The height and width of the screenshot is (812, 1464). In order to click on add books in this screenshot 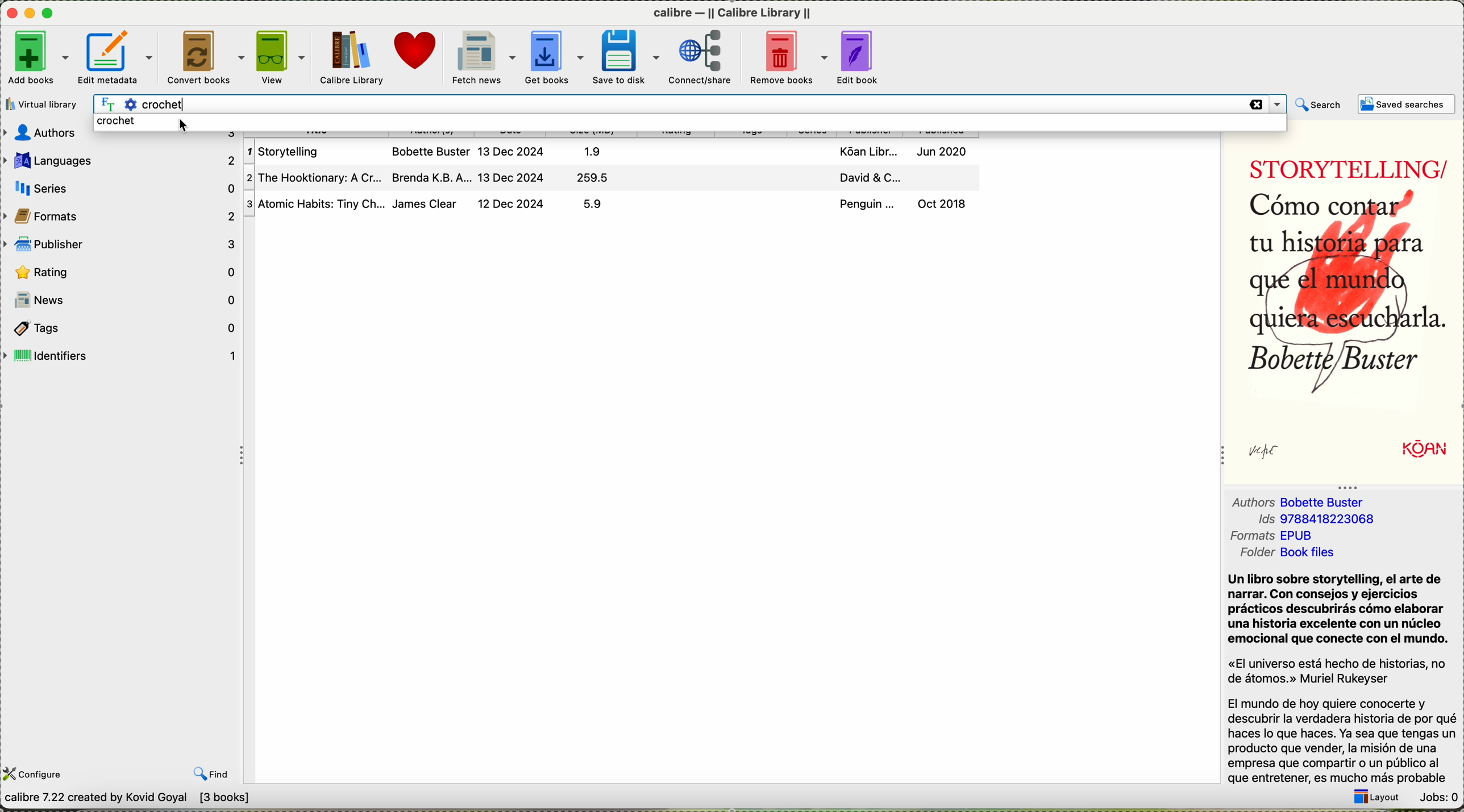, I will do `click(38, 57)`.